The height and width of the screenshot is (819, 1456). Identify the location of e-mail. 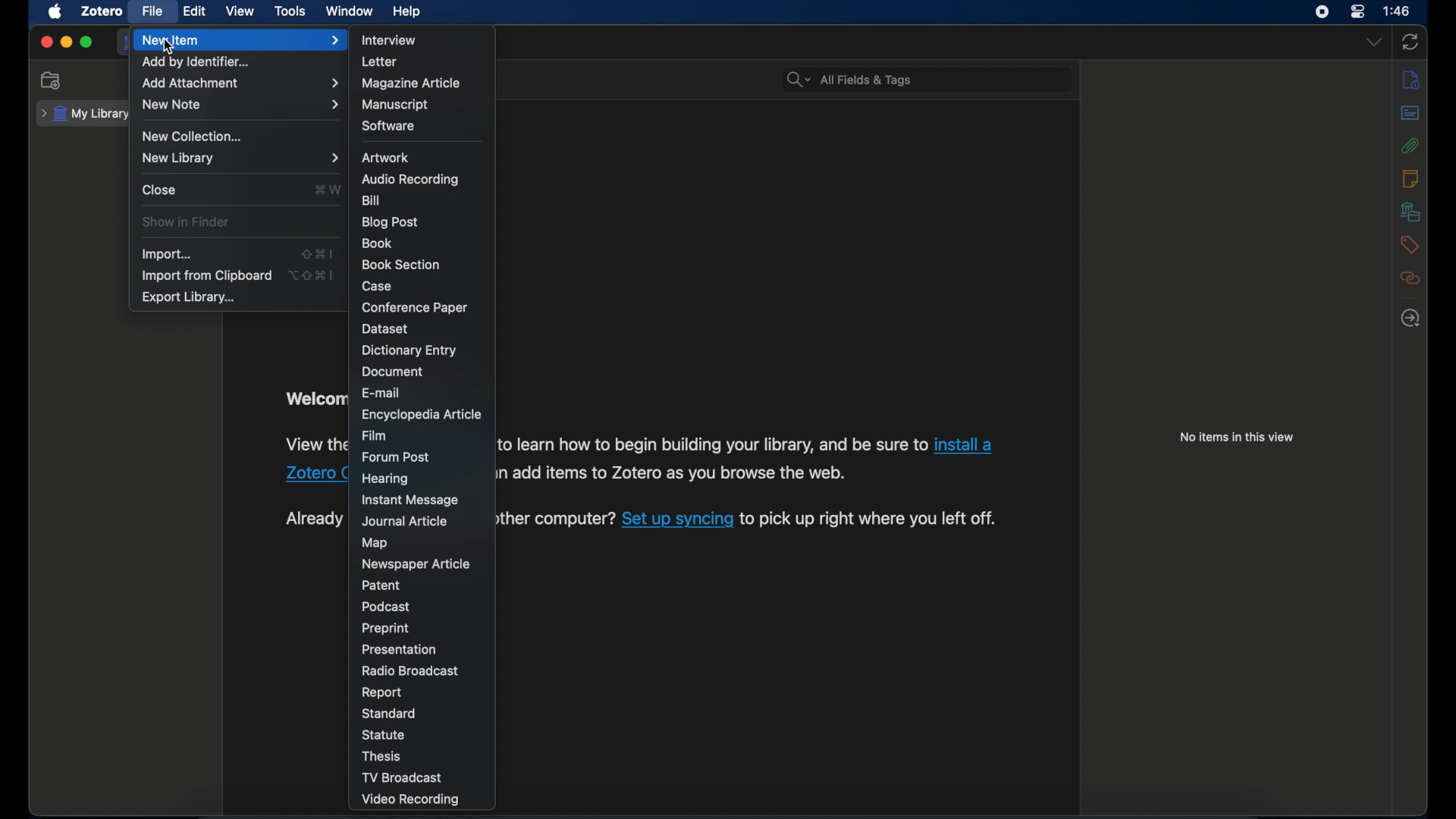
(381, 394).